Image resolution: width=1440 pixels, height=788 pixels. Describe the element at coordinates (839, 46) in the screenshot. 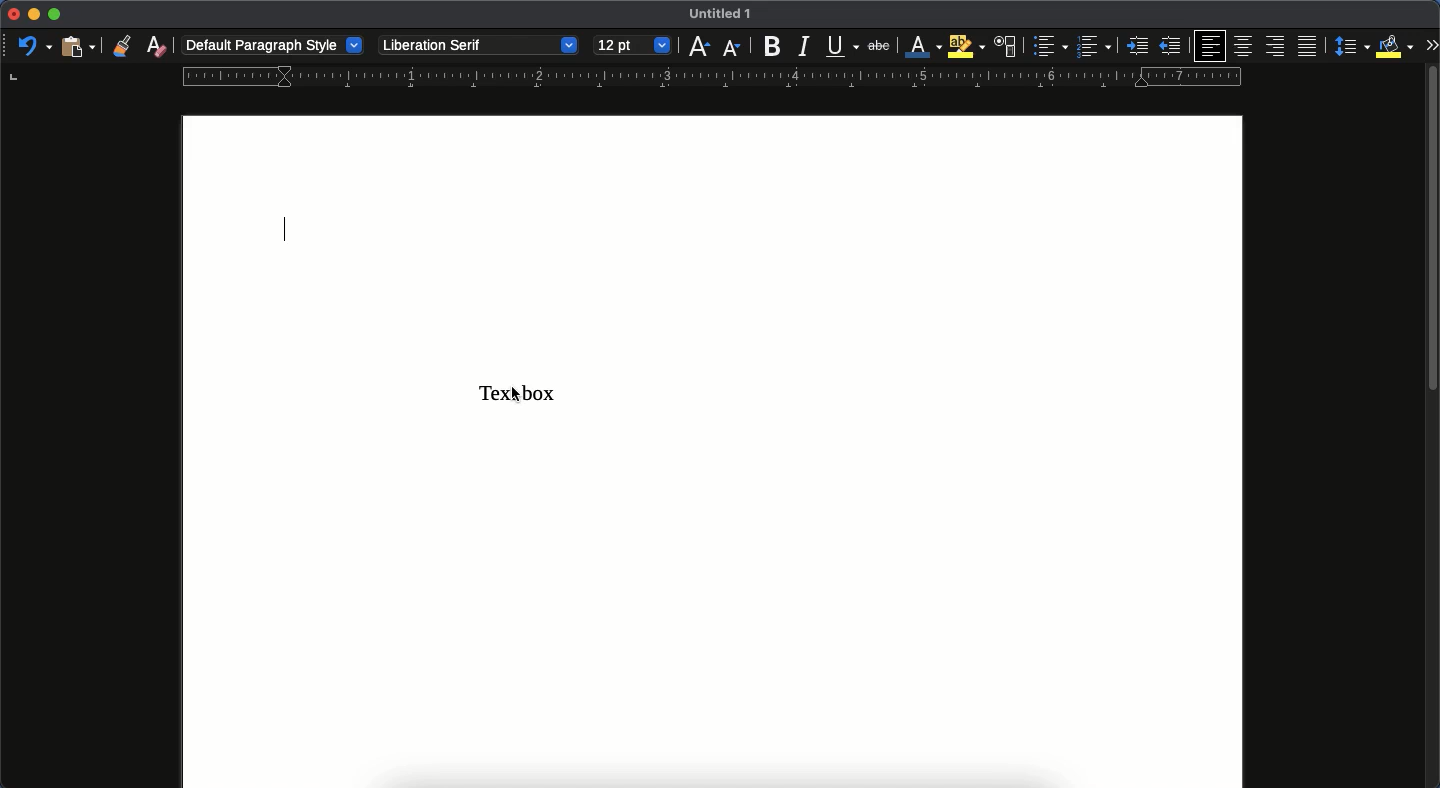

I see `underline` at that location.